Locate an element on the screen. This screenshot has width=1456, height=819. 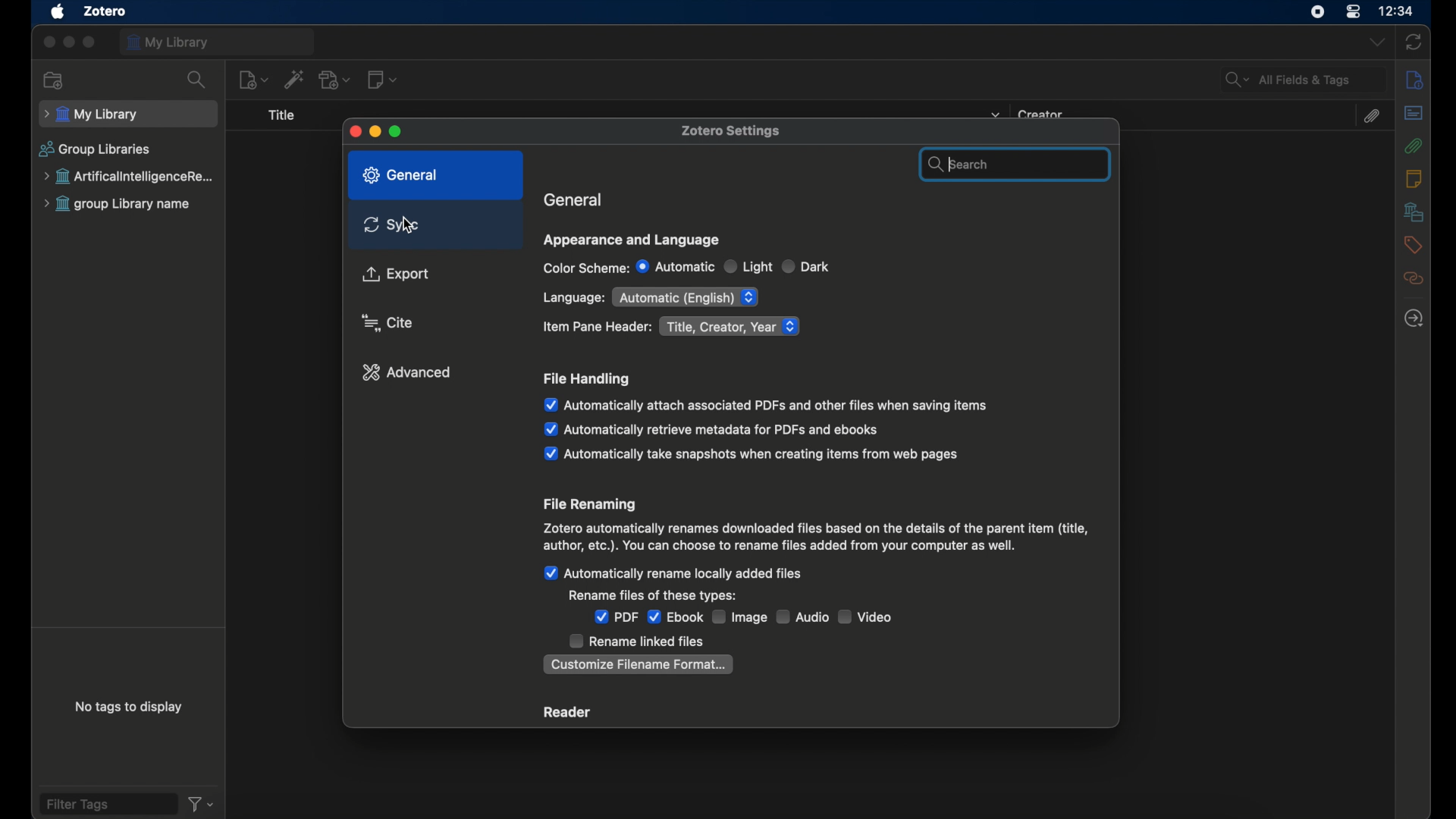
filter tags is located at coordinates (107, 804).